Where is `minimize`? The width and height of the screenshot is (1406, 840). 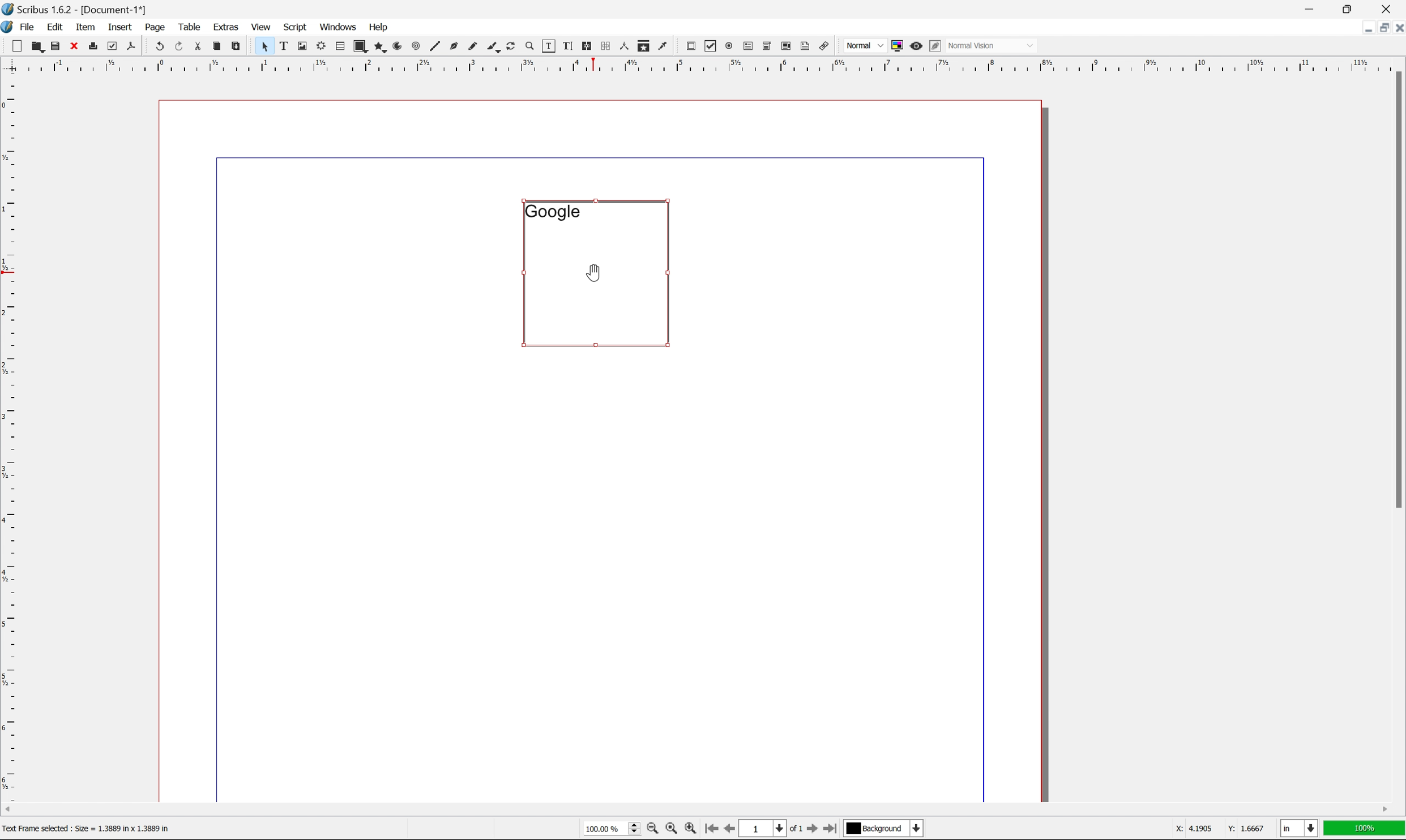 minimize is located at coordinates (1311, 8).